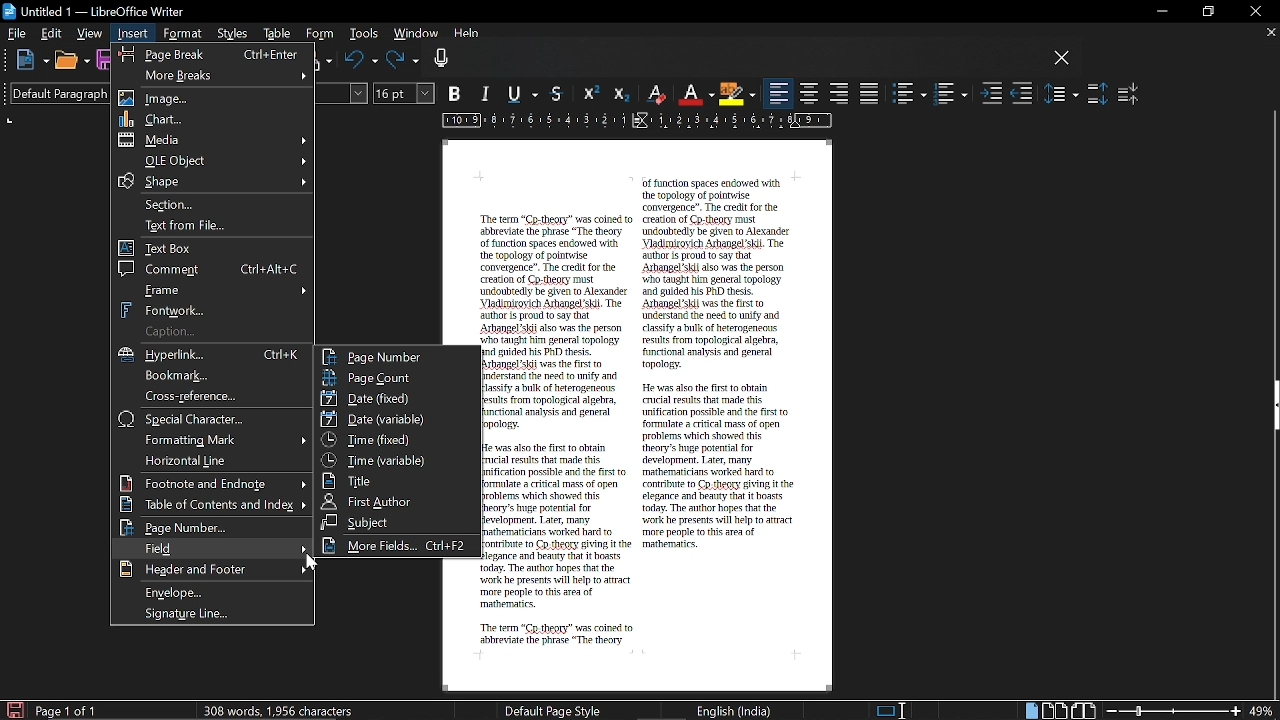 This screenshot has width=1280, height=720. Describe the element at coordinates (216, 203) in the screenshot. I see `Section` at that location.